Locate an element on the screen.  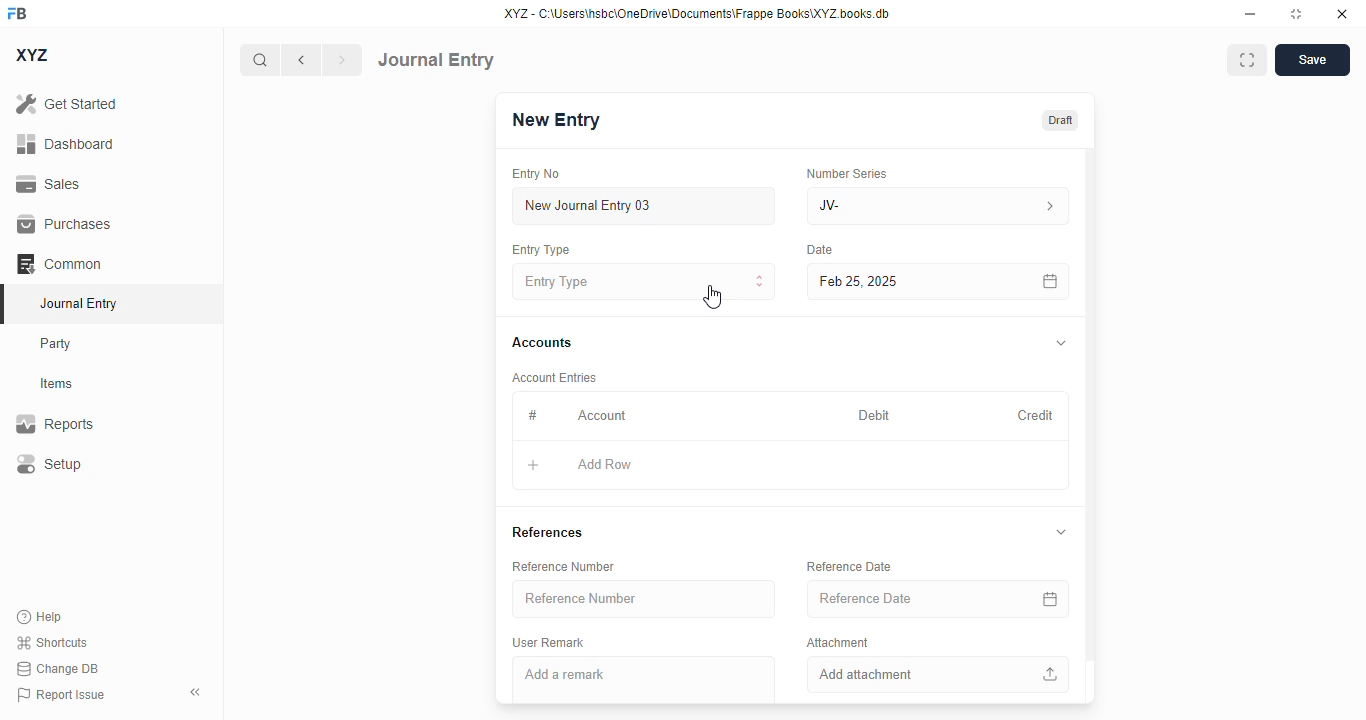
attachment is located at coordinates (838, 641).